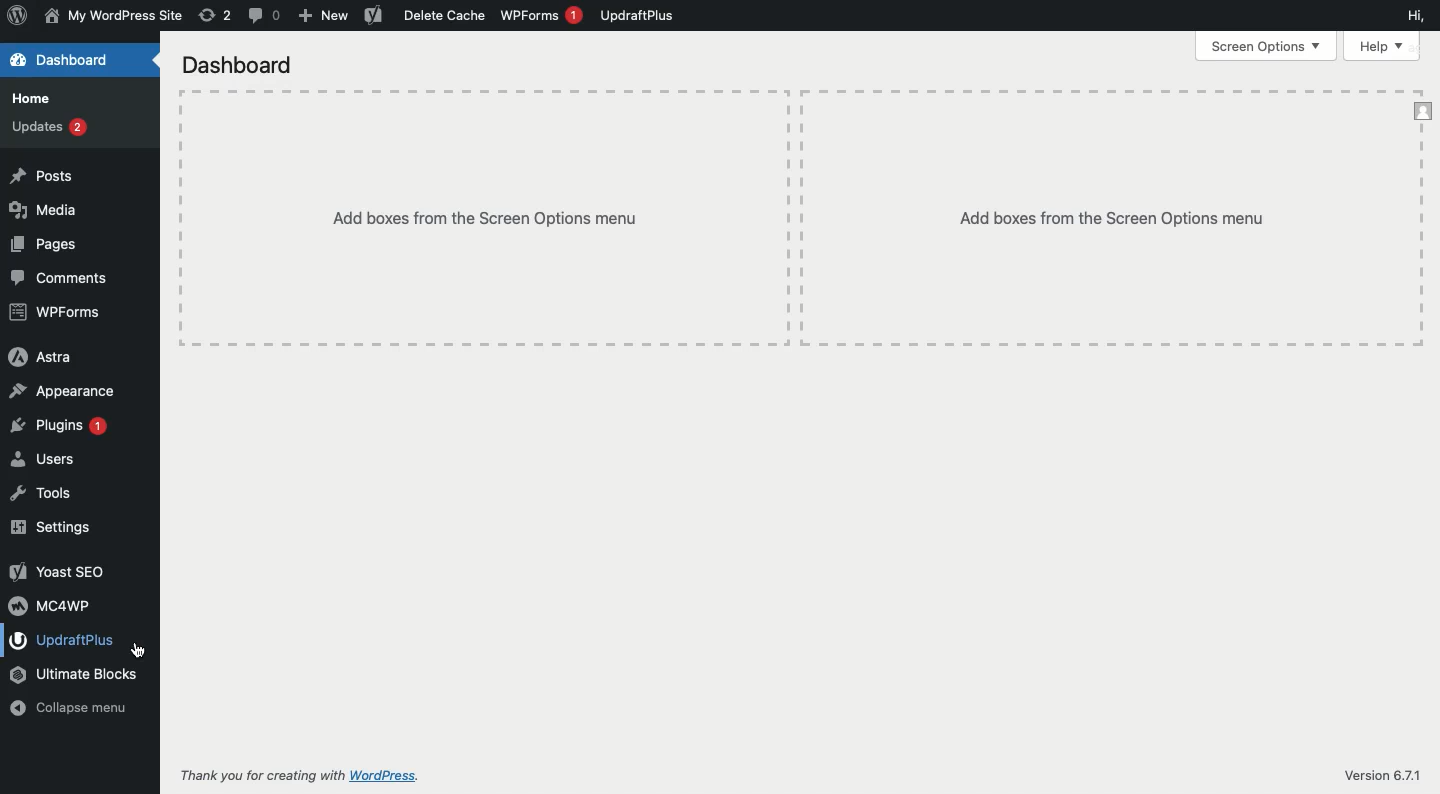  What do you see at coordinates (1270, 45) in the screenshot?
I see `Screen options` at bounding box center [1270, 45].